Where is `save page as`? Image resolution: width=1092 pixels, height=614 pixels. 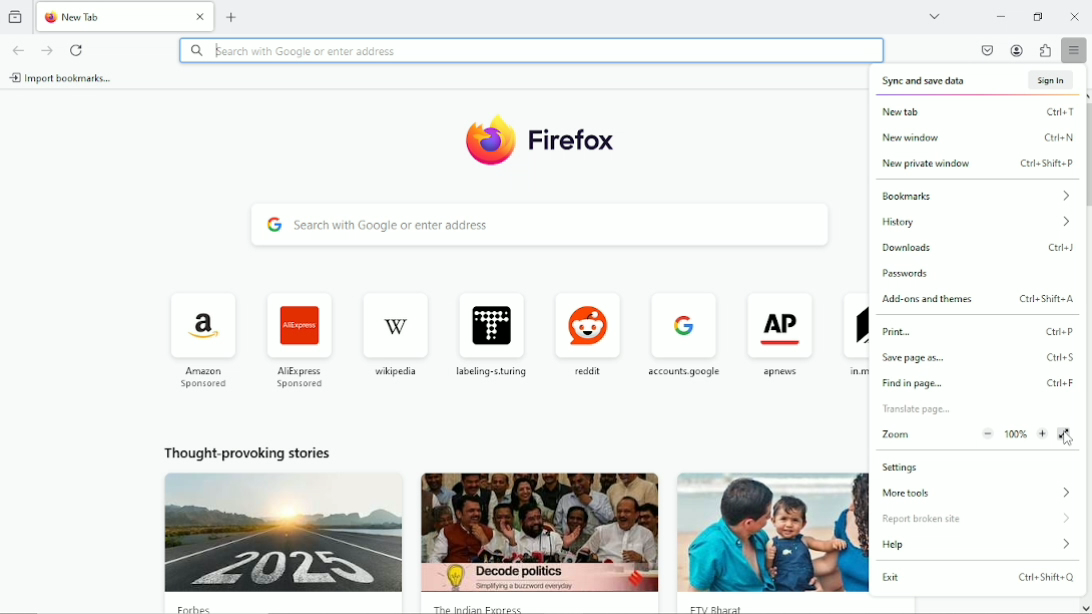
save page as is located at coordinates (977, 359).